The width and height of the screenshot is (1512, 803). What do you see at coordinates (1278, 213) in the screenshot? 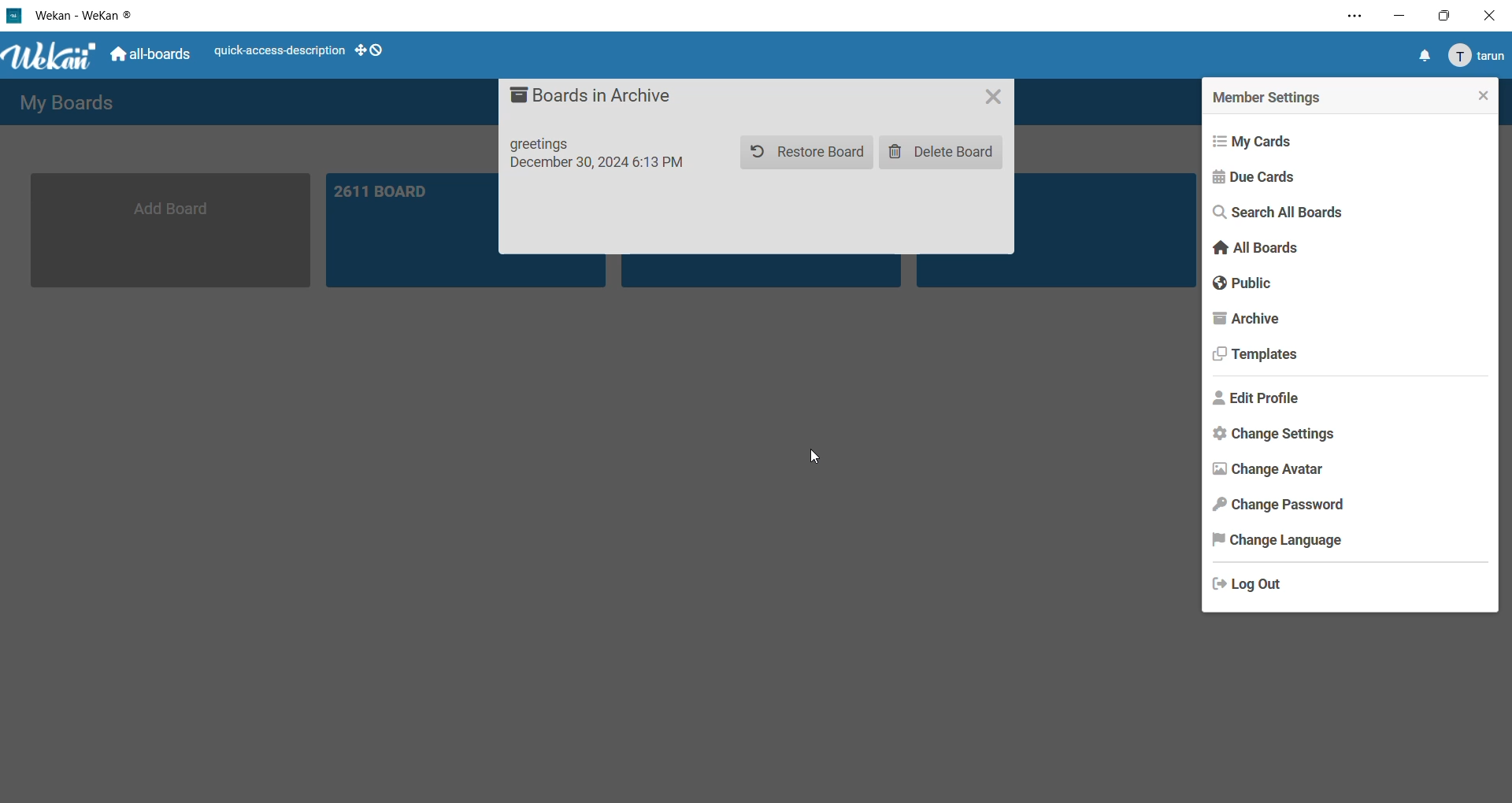
I see `search all boards` at bounding box center [1278, 213].